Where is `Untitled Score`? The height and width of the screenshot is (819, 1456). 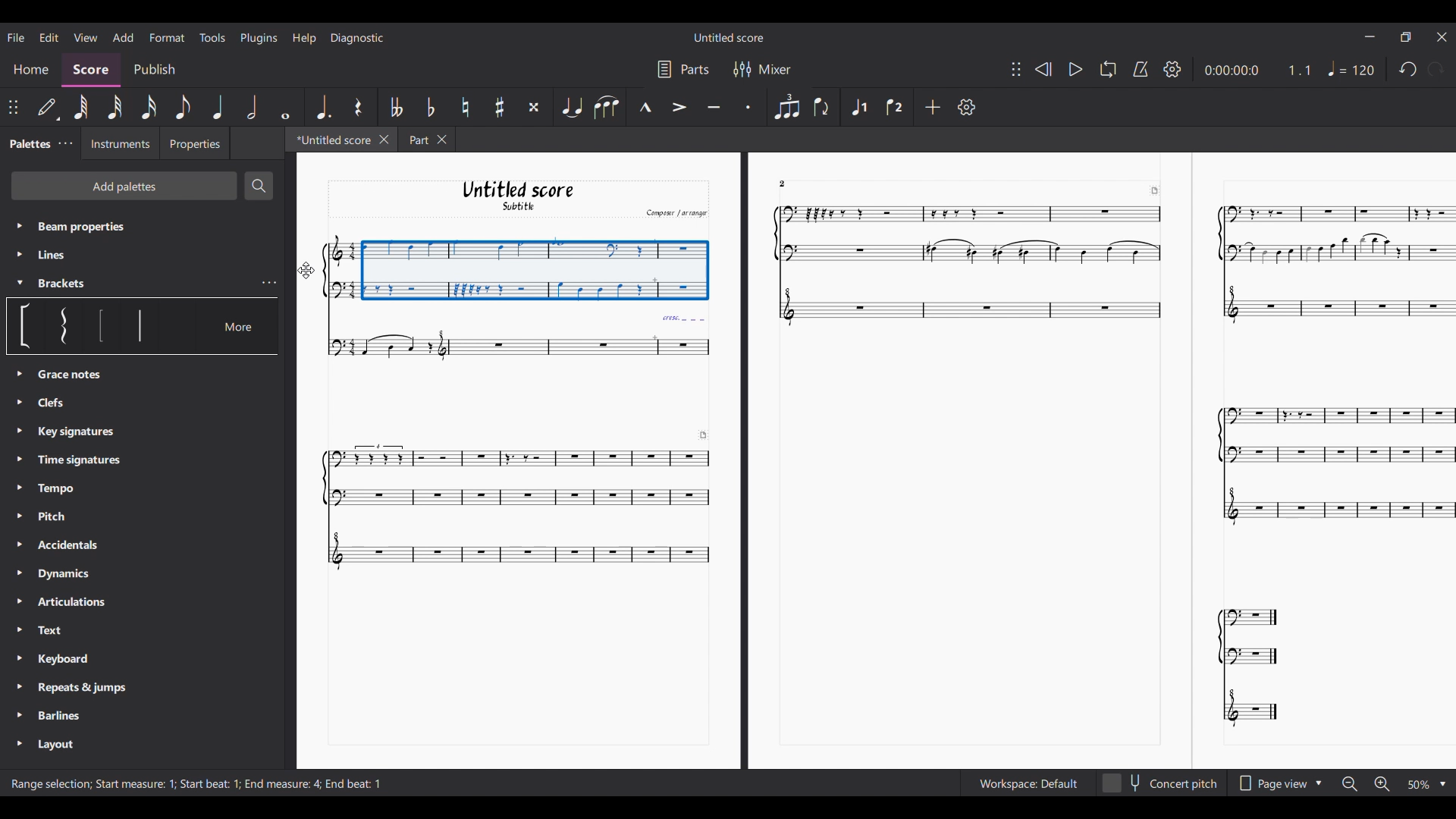
Untitled Score is located at coordinates (729, 37).